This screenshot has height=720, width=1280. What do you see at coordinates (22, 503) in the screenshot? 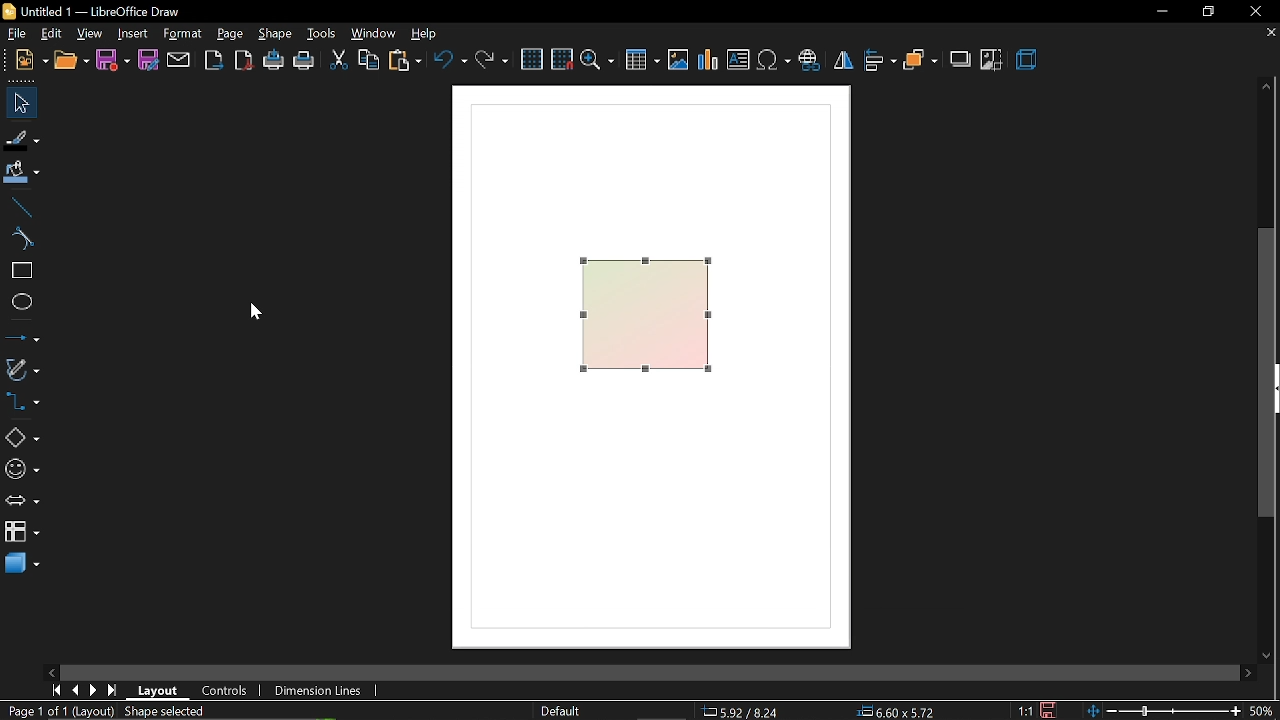
I see `arrows` at bounding box center [22, 503].